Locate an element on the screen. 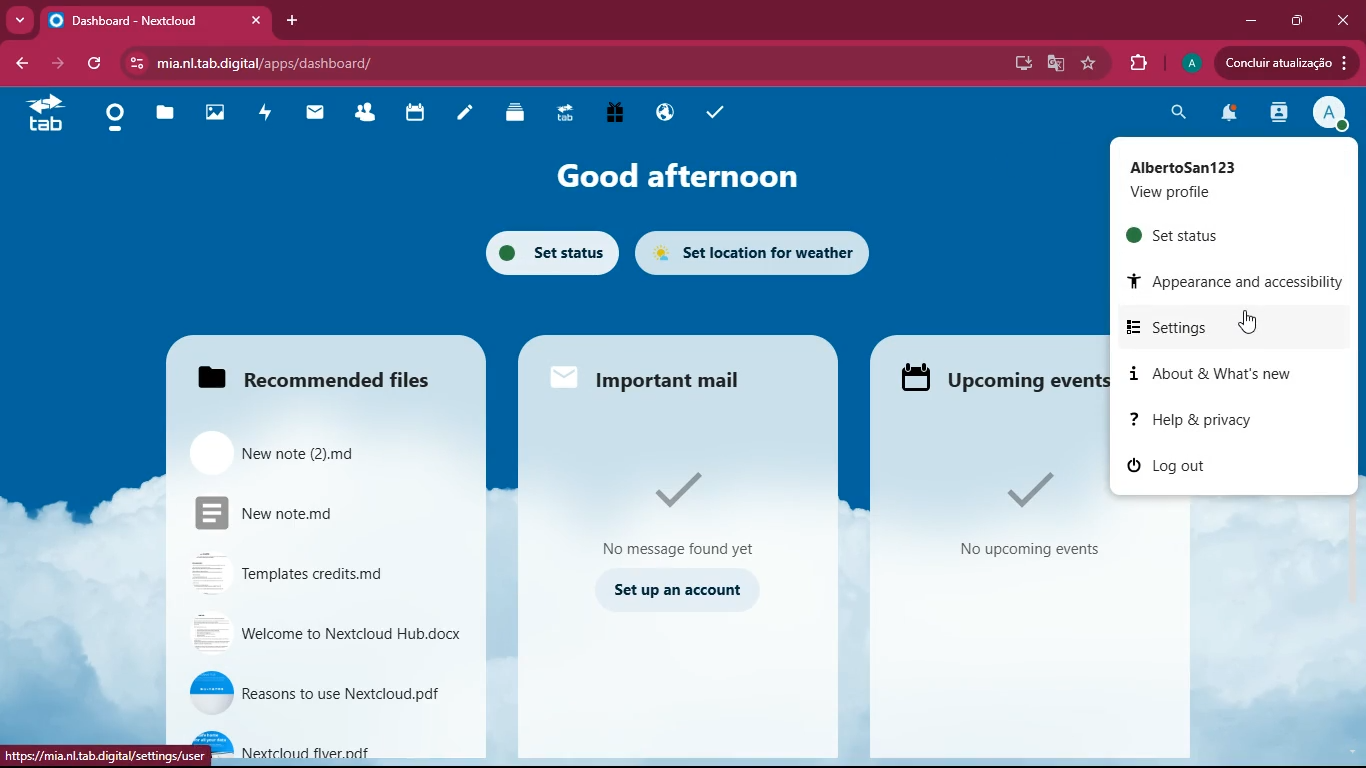 The height and width of the screenshot is (768, 1366). file is located at coordinates (317, 692).